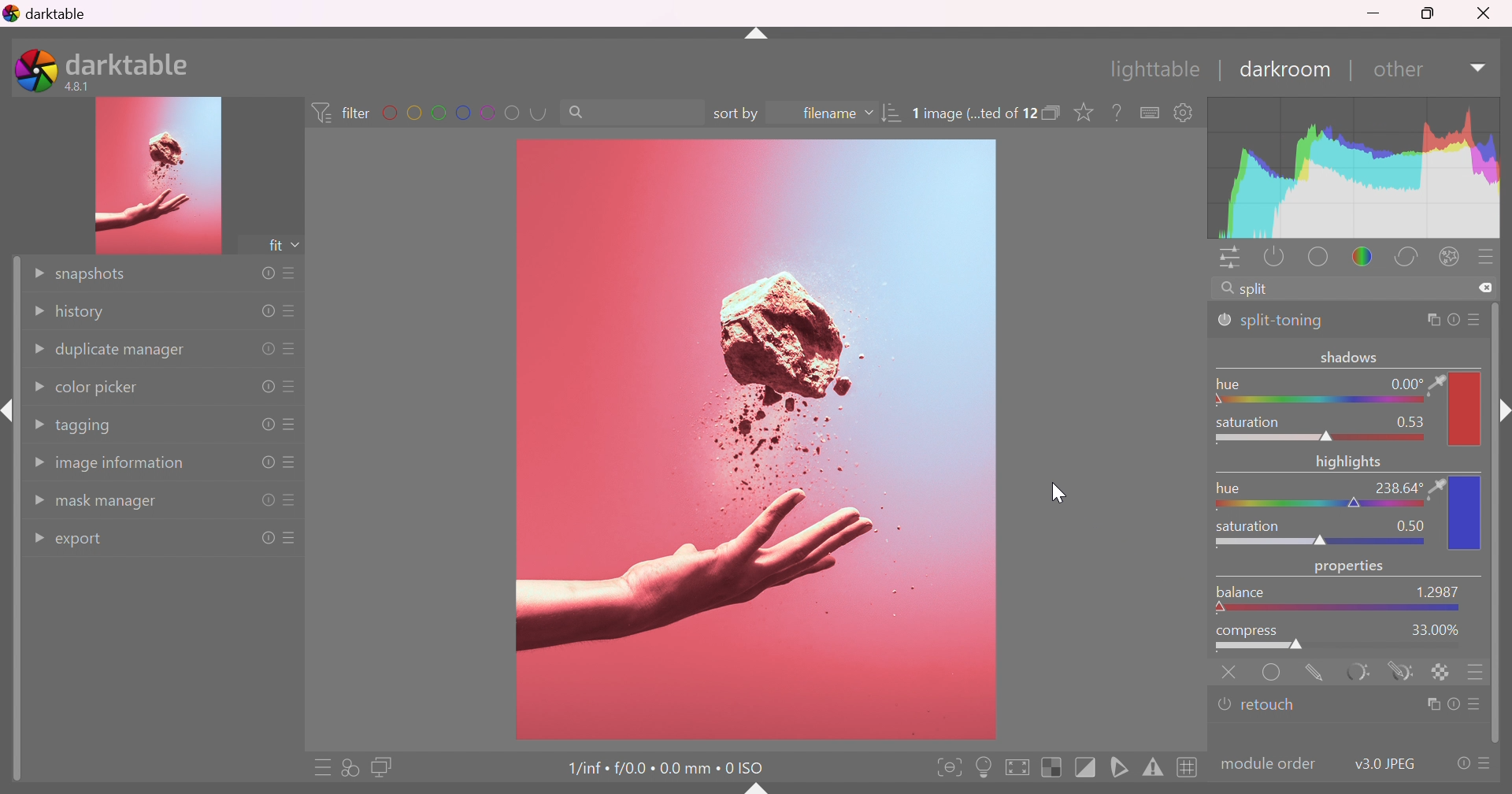 The height and width of the screenshot is (794, 1512). I want to click on Drop Down, so click(35, 500).